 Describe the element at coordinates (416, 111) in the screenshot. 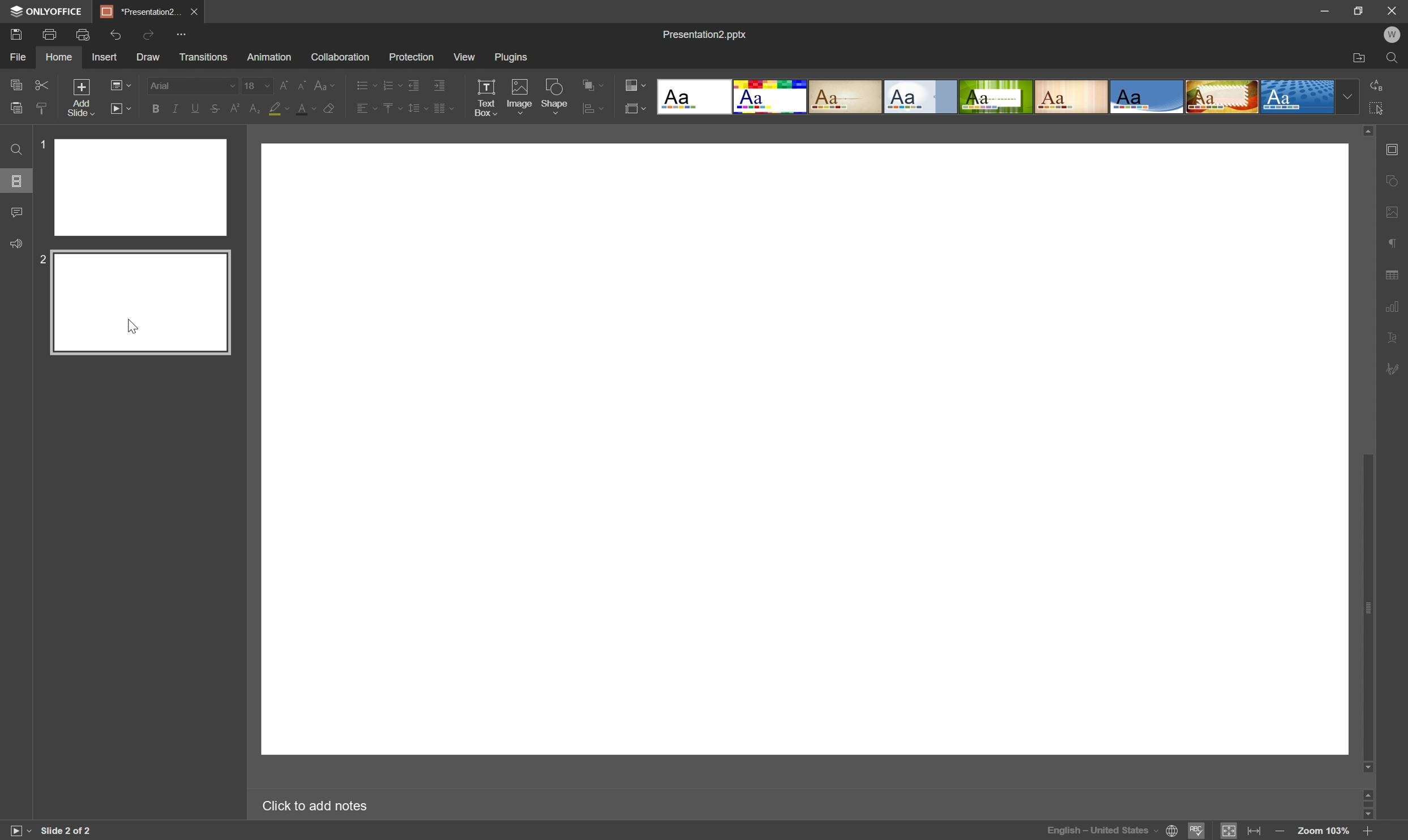

I see `Line spacing` at that location.